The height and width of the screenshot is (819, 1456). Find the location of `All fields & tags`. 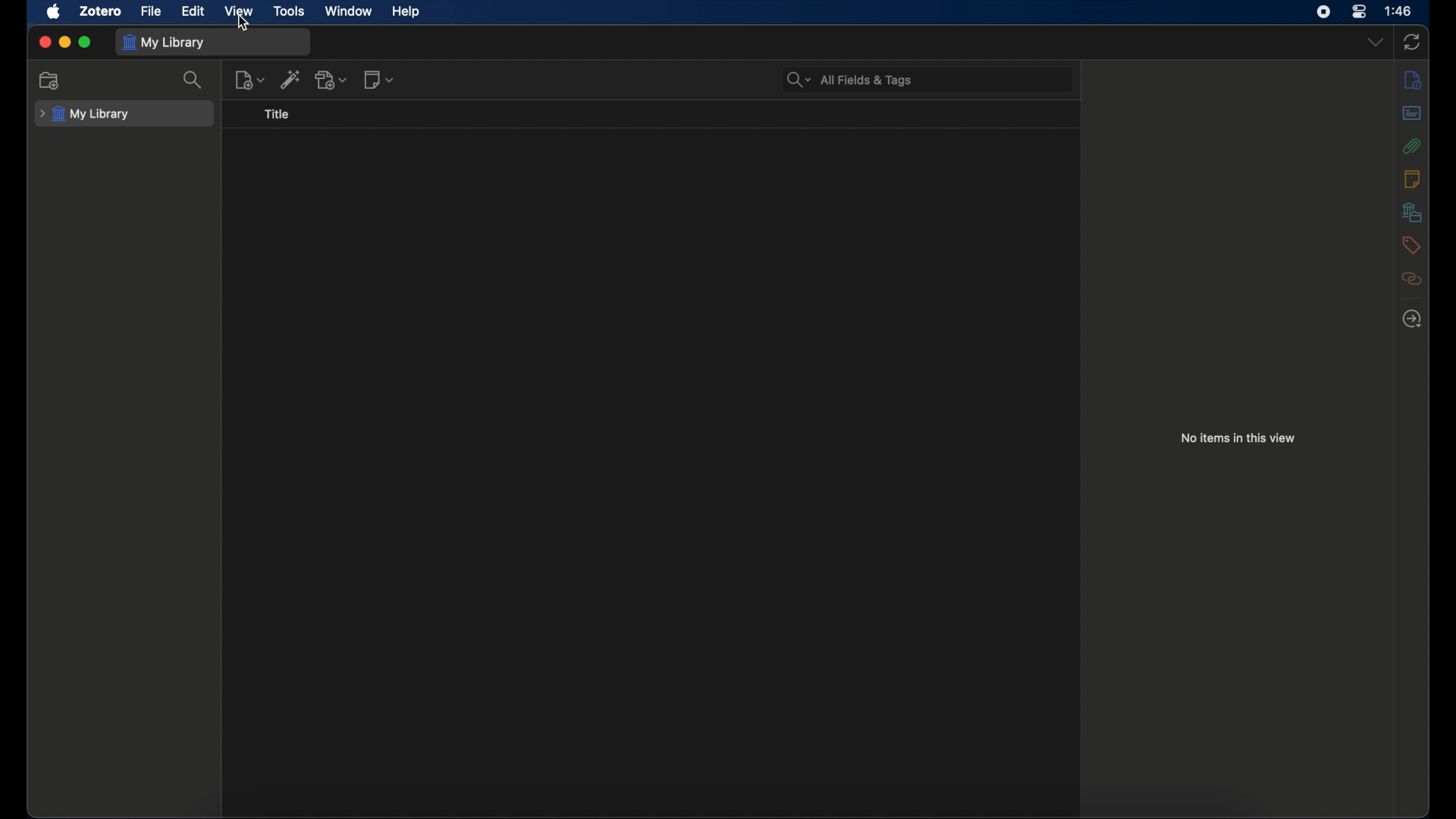

All fields & tags is located at coordinates (850, 80).